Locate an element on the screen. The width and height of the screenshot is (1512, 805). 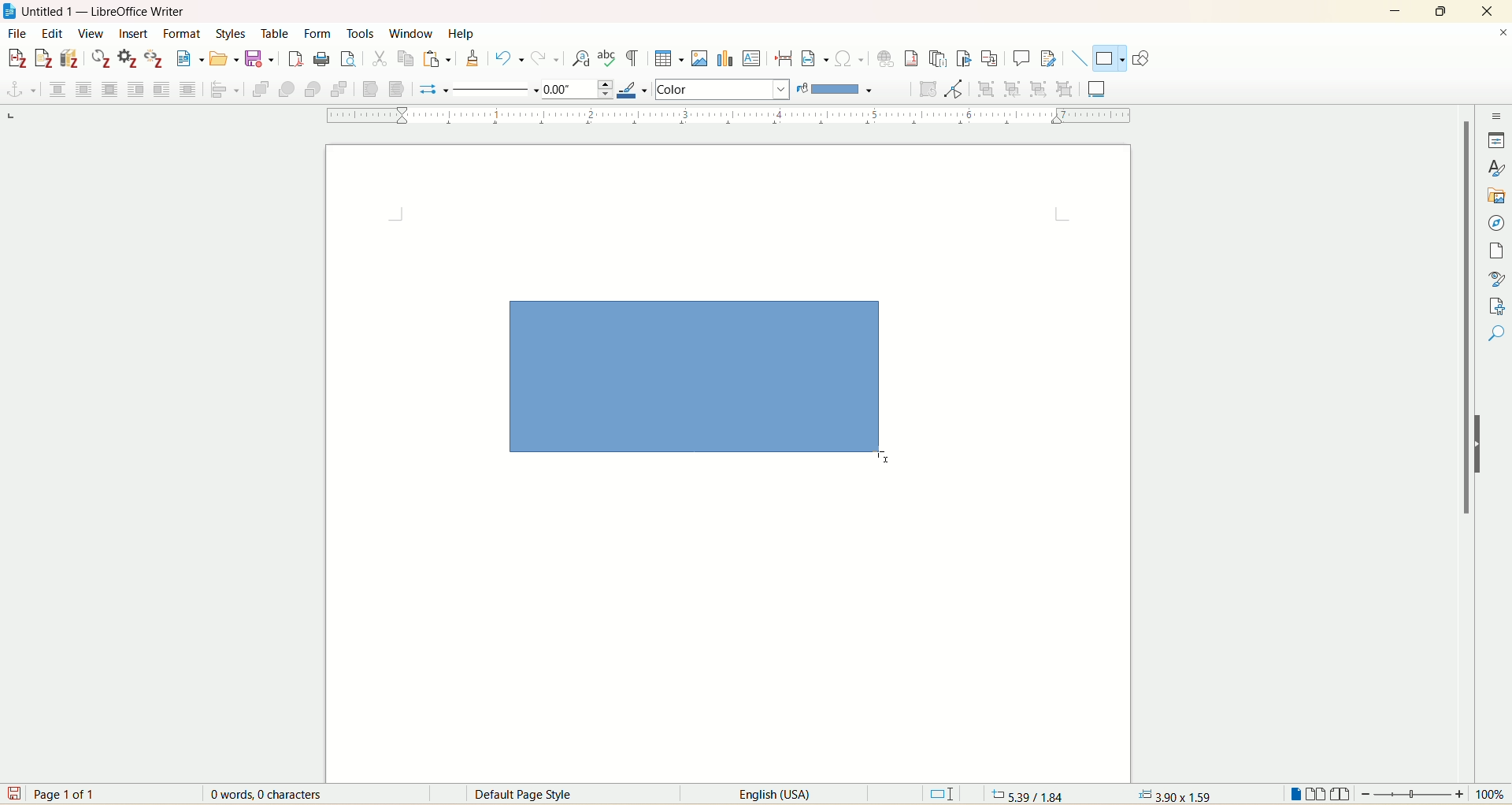
insert page break is located at coordinates (784, 57).